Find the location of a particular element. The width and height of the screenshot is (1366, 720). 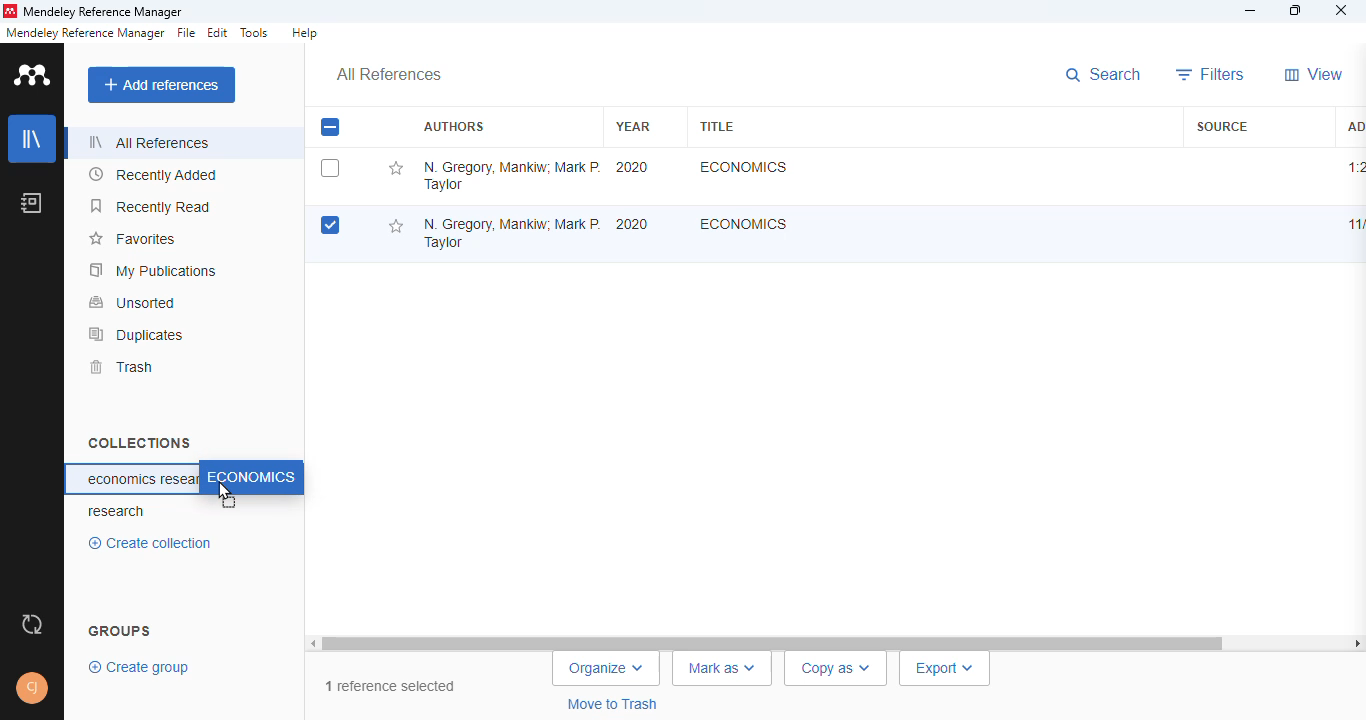

close is located at coordinates (1341, 12).